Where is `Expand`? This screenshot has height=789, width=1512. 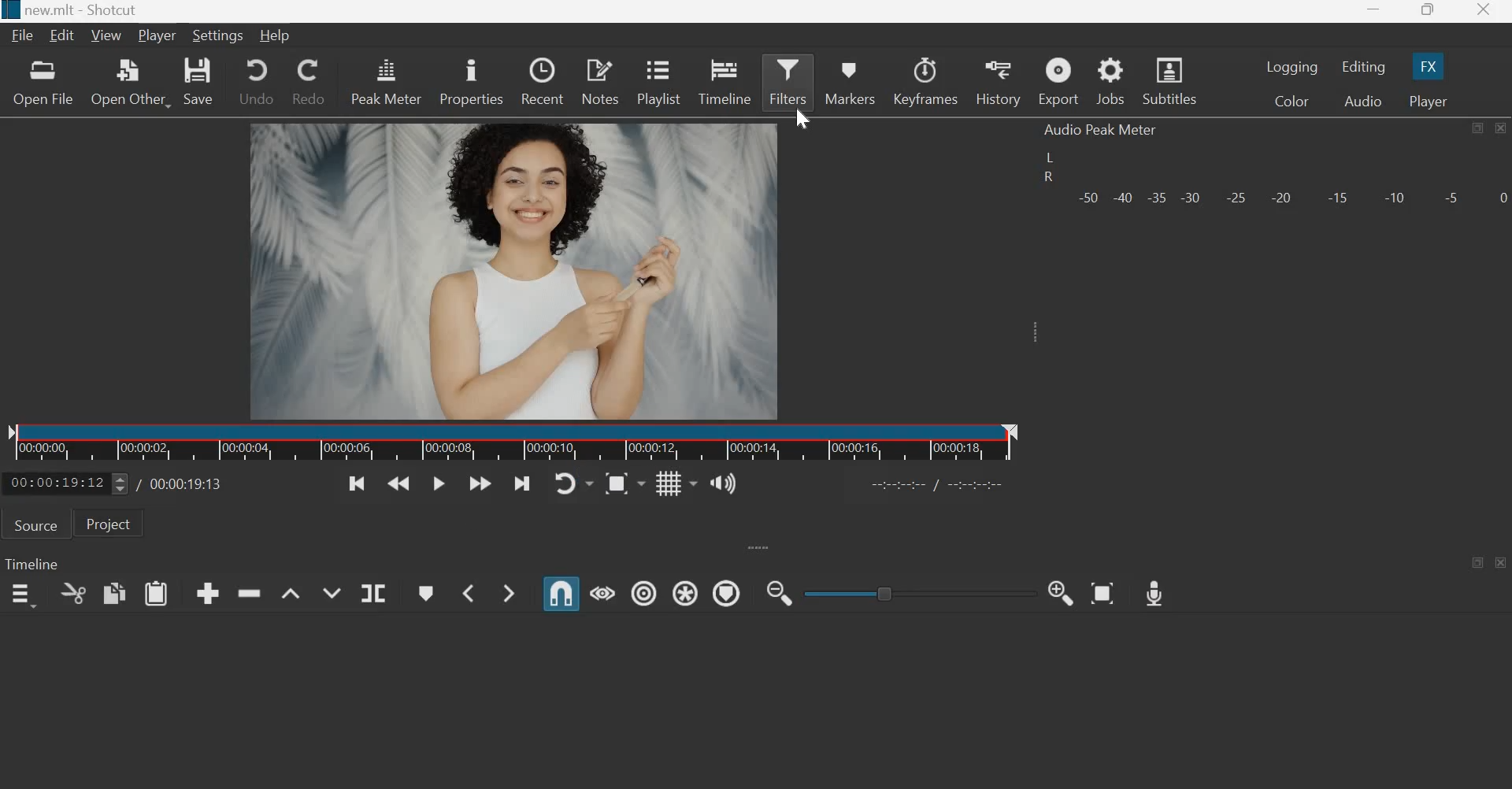 Expand is located at coordinates (1032, 332).